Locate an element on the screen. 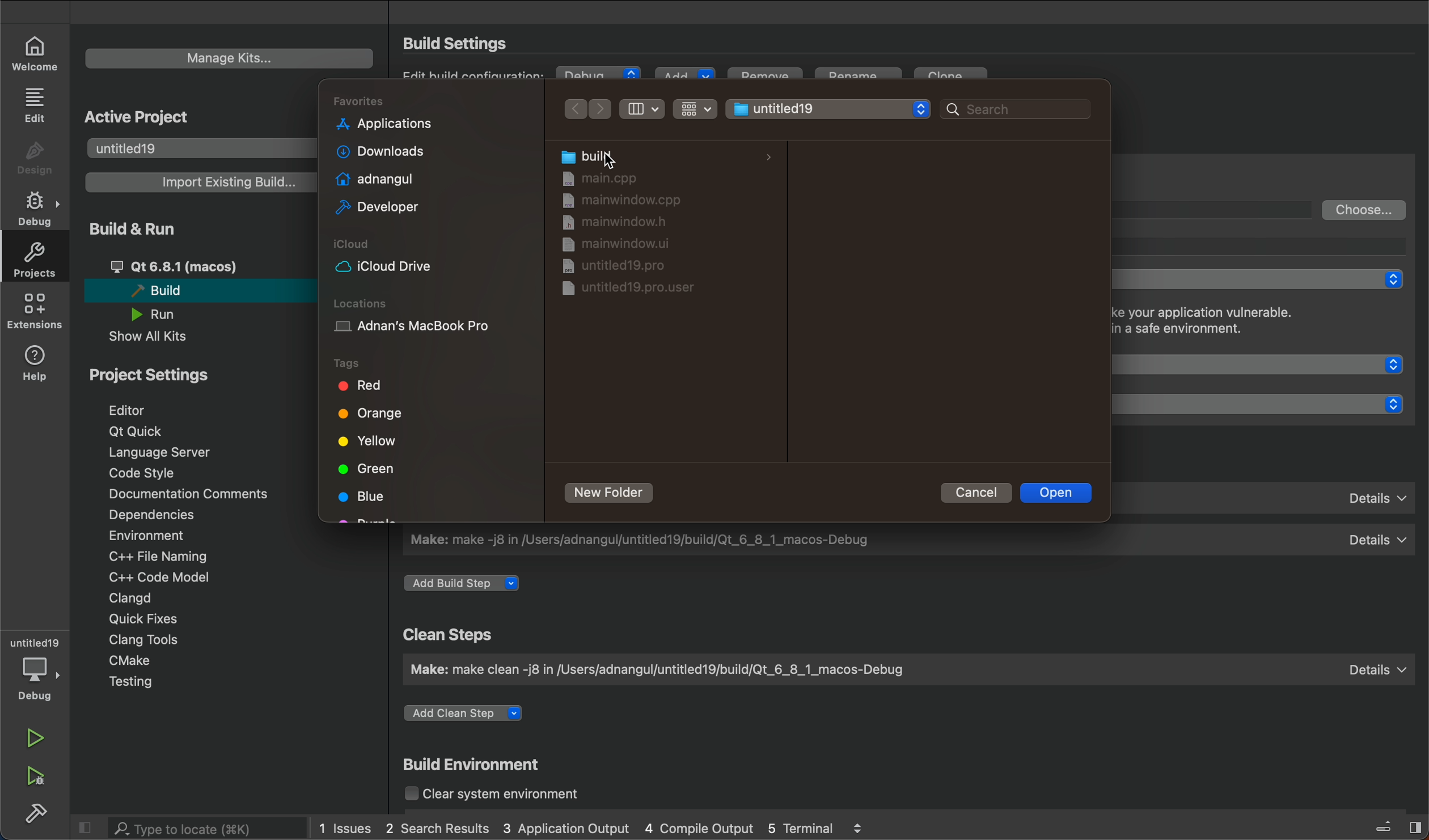 This screenshot has width=1429, height=840. cloud is located at coordinates (429, 257).